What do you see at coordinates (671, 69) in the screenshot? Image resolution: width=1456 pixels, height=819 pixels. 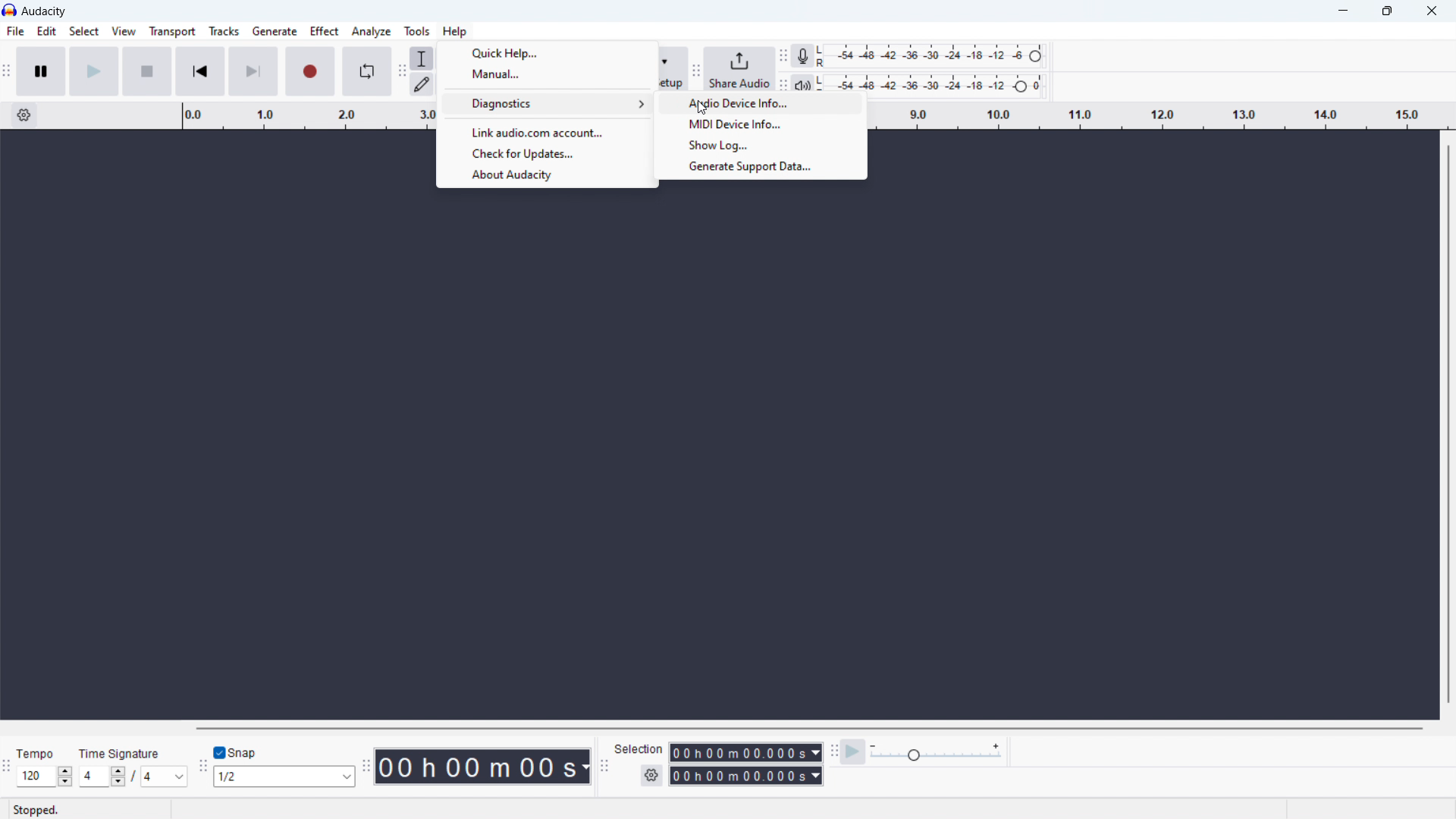 I see `audio setup` at bounding box center [671, 69].